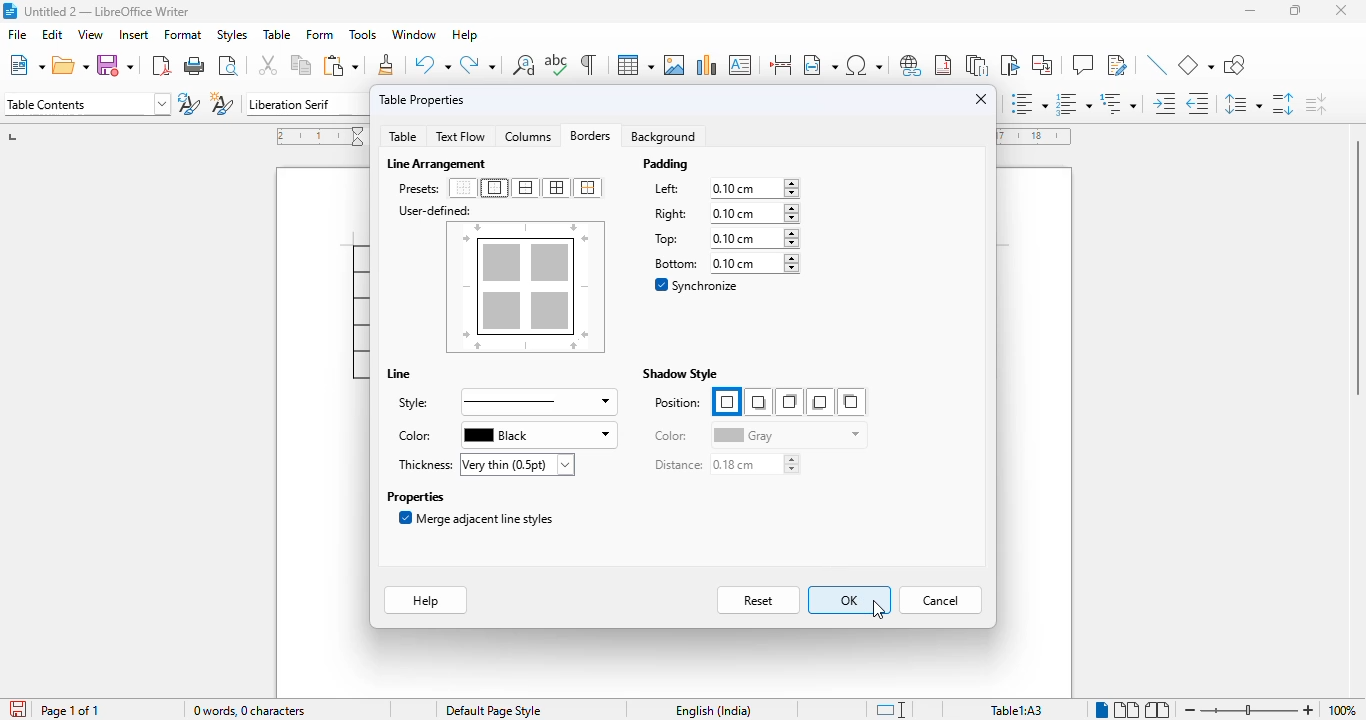  I want to click on insert cross-reference, so click(1042, 64).